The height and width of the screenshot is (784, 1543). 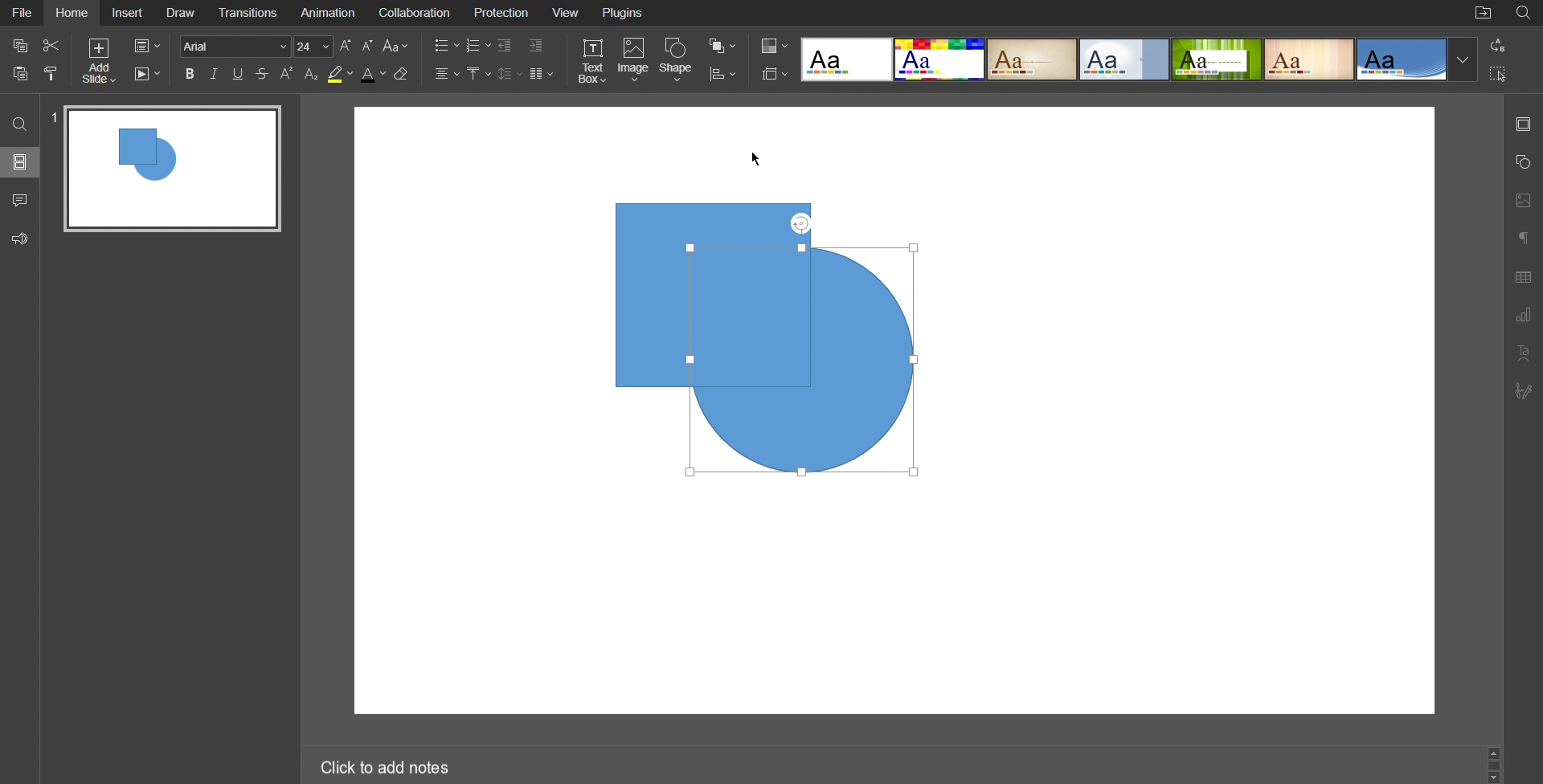 I want to click on Replace, so click(x=1496, y=45).